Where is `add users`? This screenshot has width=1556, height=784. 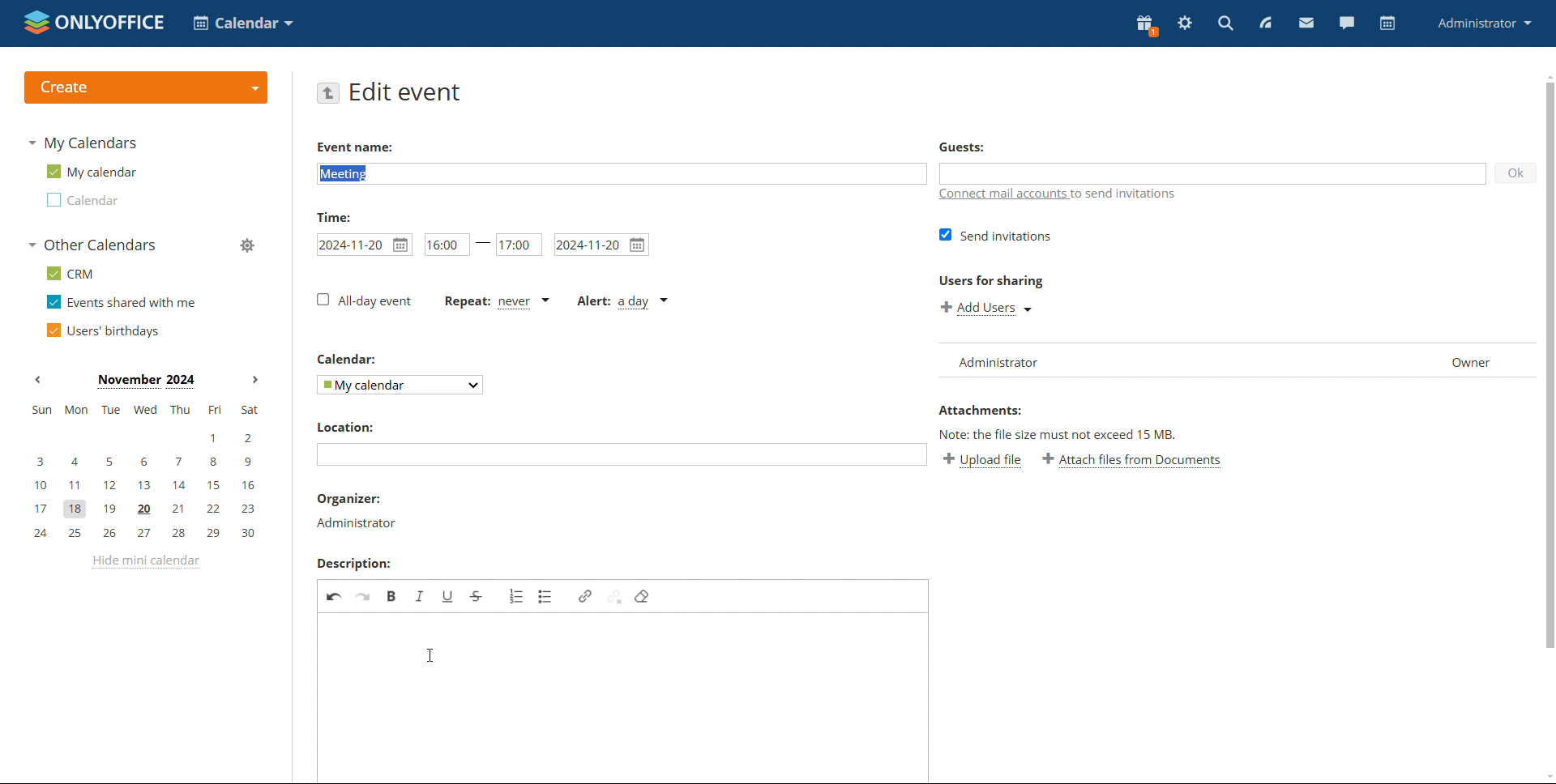
add users is located at coordinates (985, 309).